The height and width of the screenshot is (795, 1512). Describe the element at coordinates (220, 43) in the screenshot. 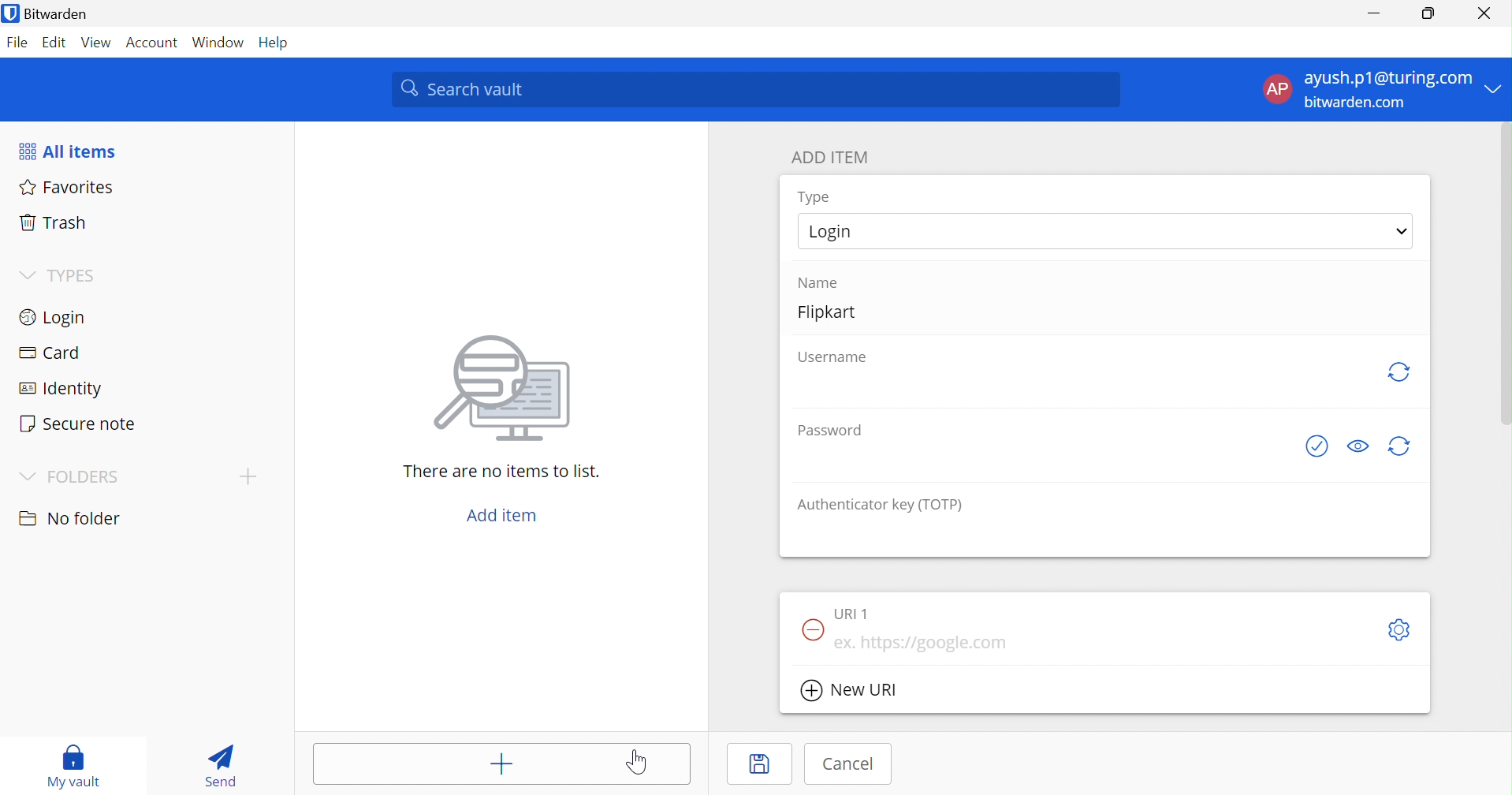

I see `Windows` at that location.